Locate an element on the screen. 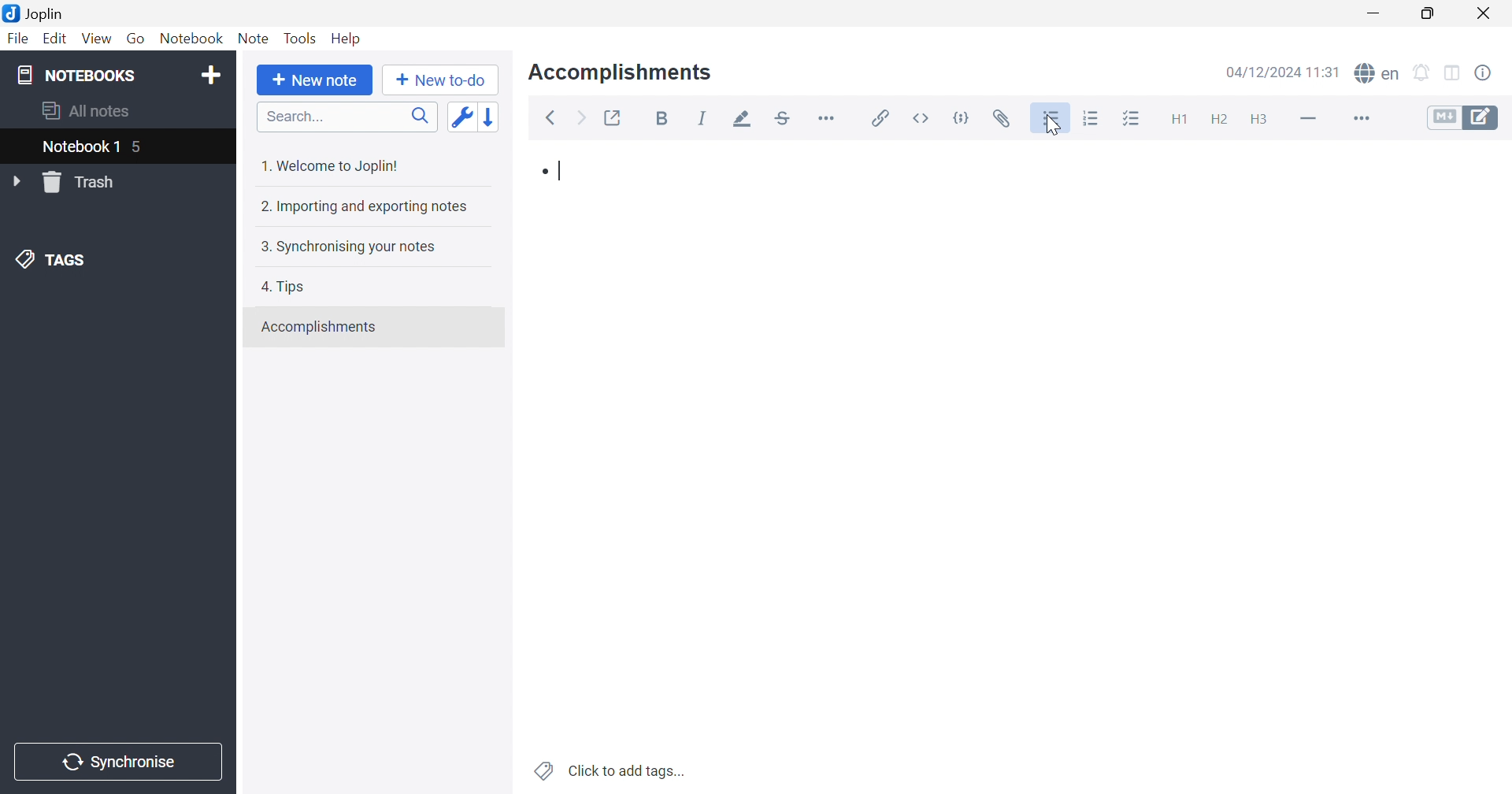 The width and height of the screenshot is (1512, 794). Tools is located at coordinates (299, 38).